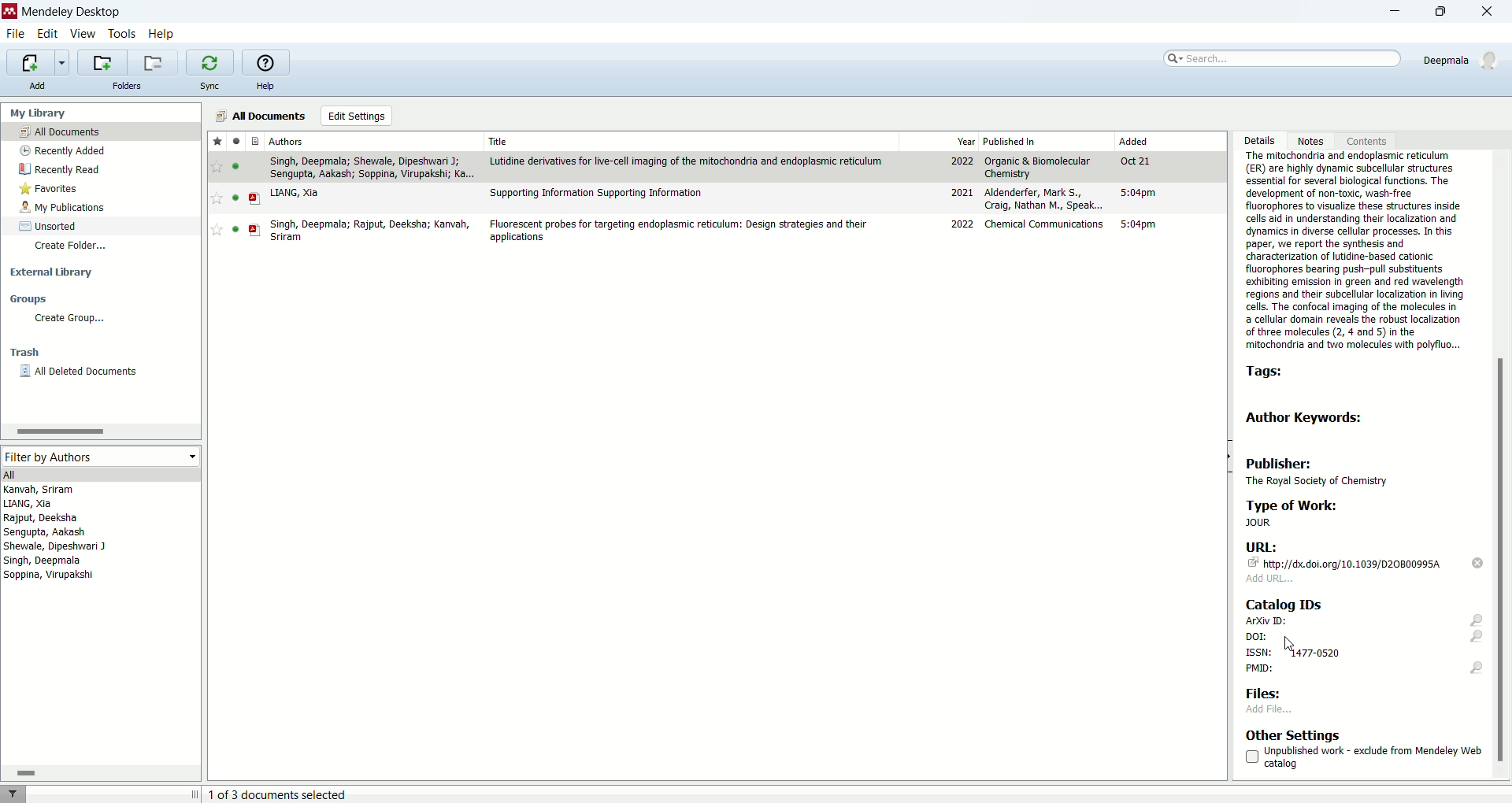  What do you see at coordinates (1282, 603) in the screenshot?
I see `catalog IDs` at bounding box center [1282, 603].